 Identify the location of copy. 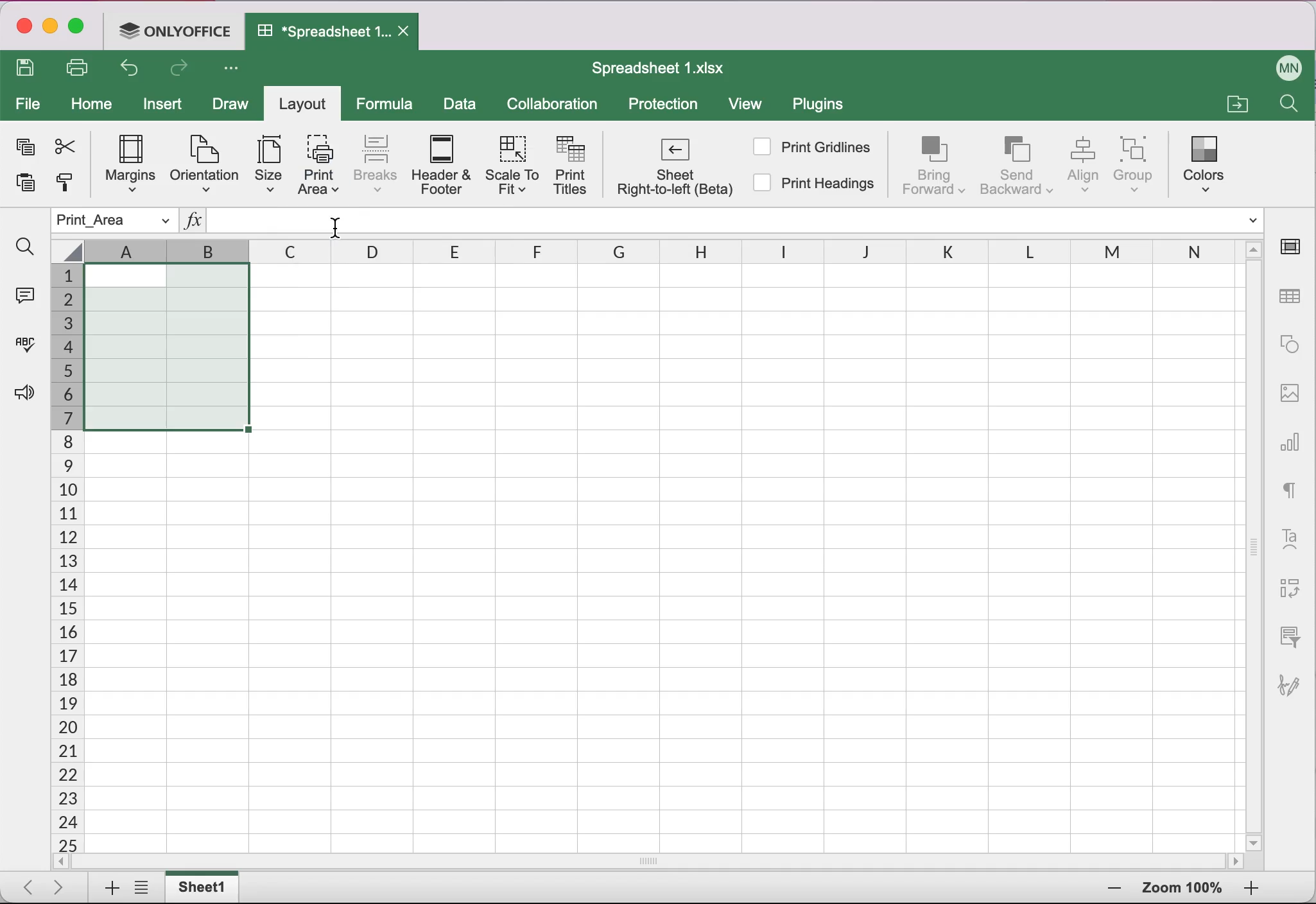
(23, 150).